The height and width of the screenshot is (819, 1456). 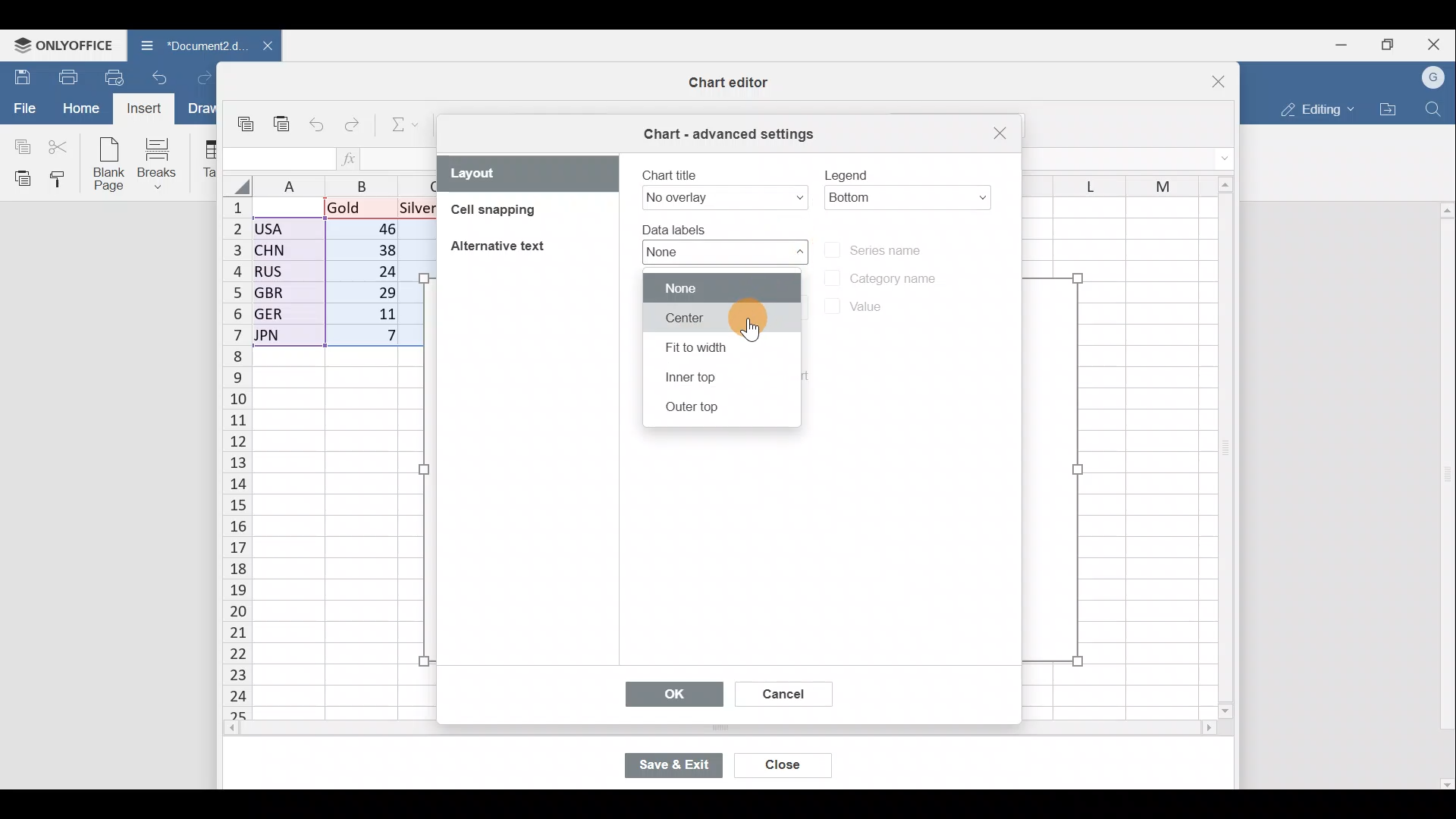 What do you see at coordinates (205, 159) in the screenshot?
I see `Table` at bounding box center [205, 159].